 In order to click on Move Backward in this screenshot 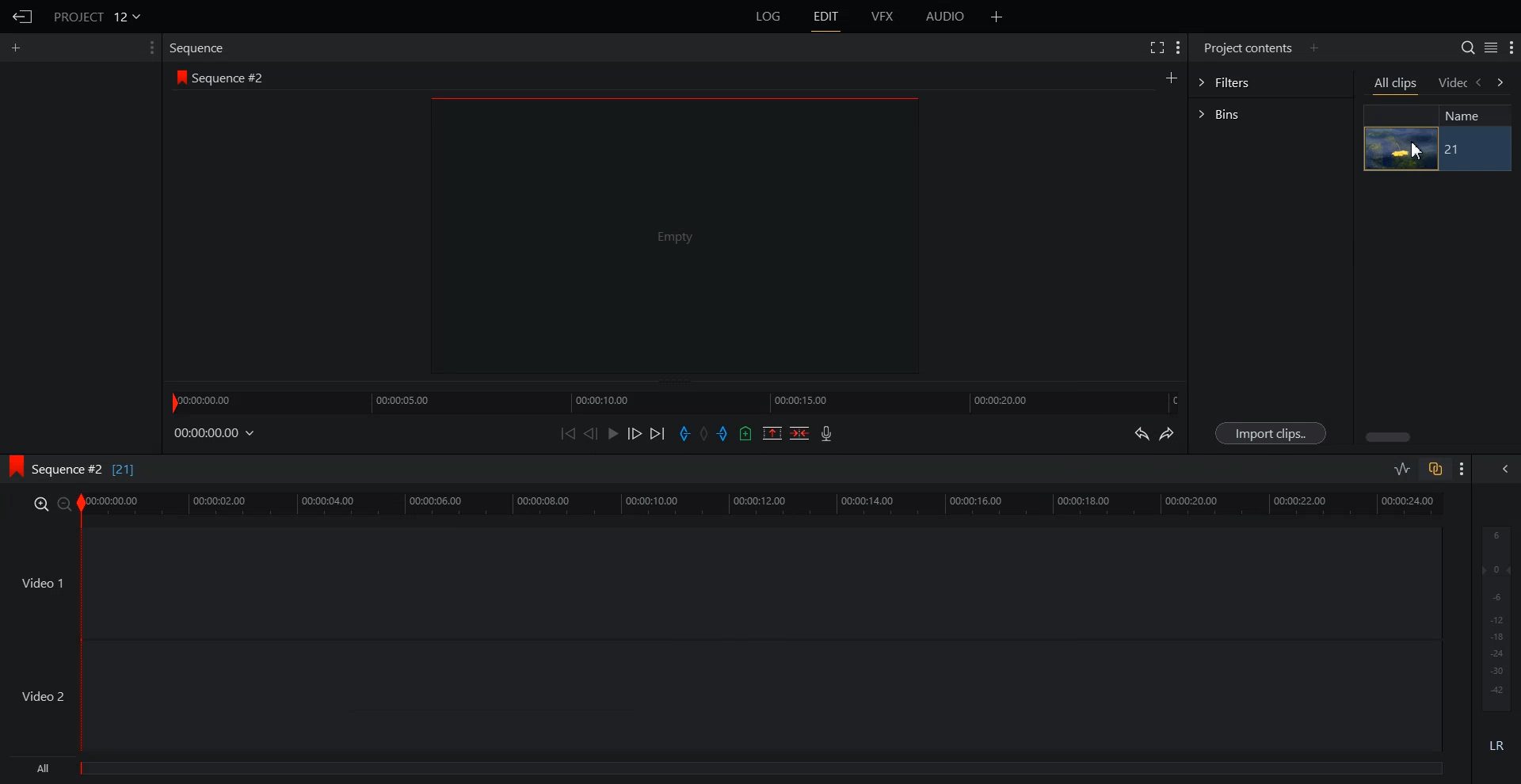, I will do `click(570, 432)`.